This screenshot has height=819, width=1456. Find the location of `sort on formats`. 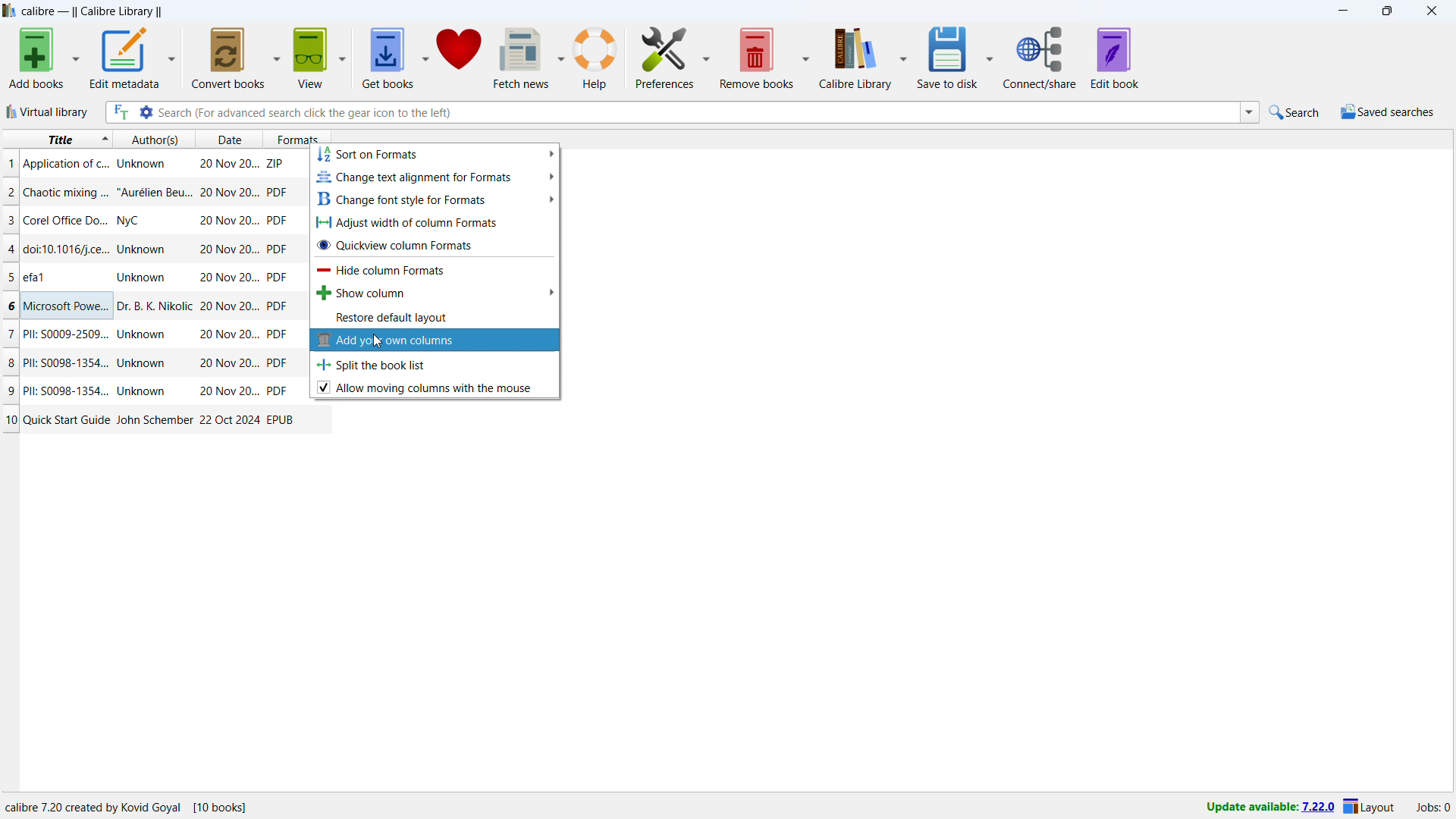

sort on formats is located at coordinates (434, 154).